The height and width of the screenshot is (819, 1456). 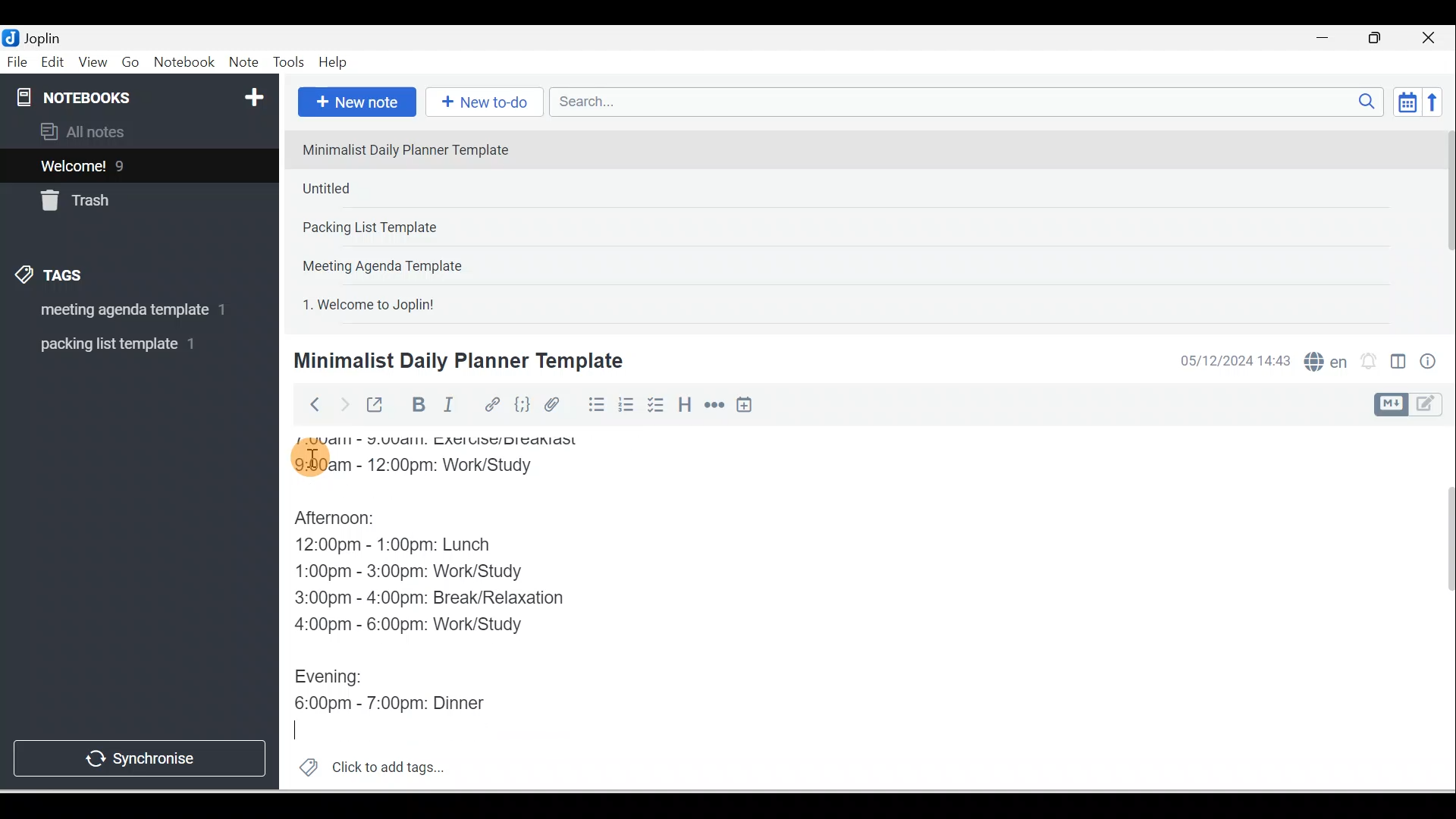 What do you see at coordinates (626, 404) in the screenshot?
I see `Numbered list` at bounding box center [626, 404].